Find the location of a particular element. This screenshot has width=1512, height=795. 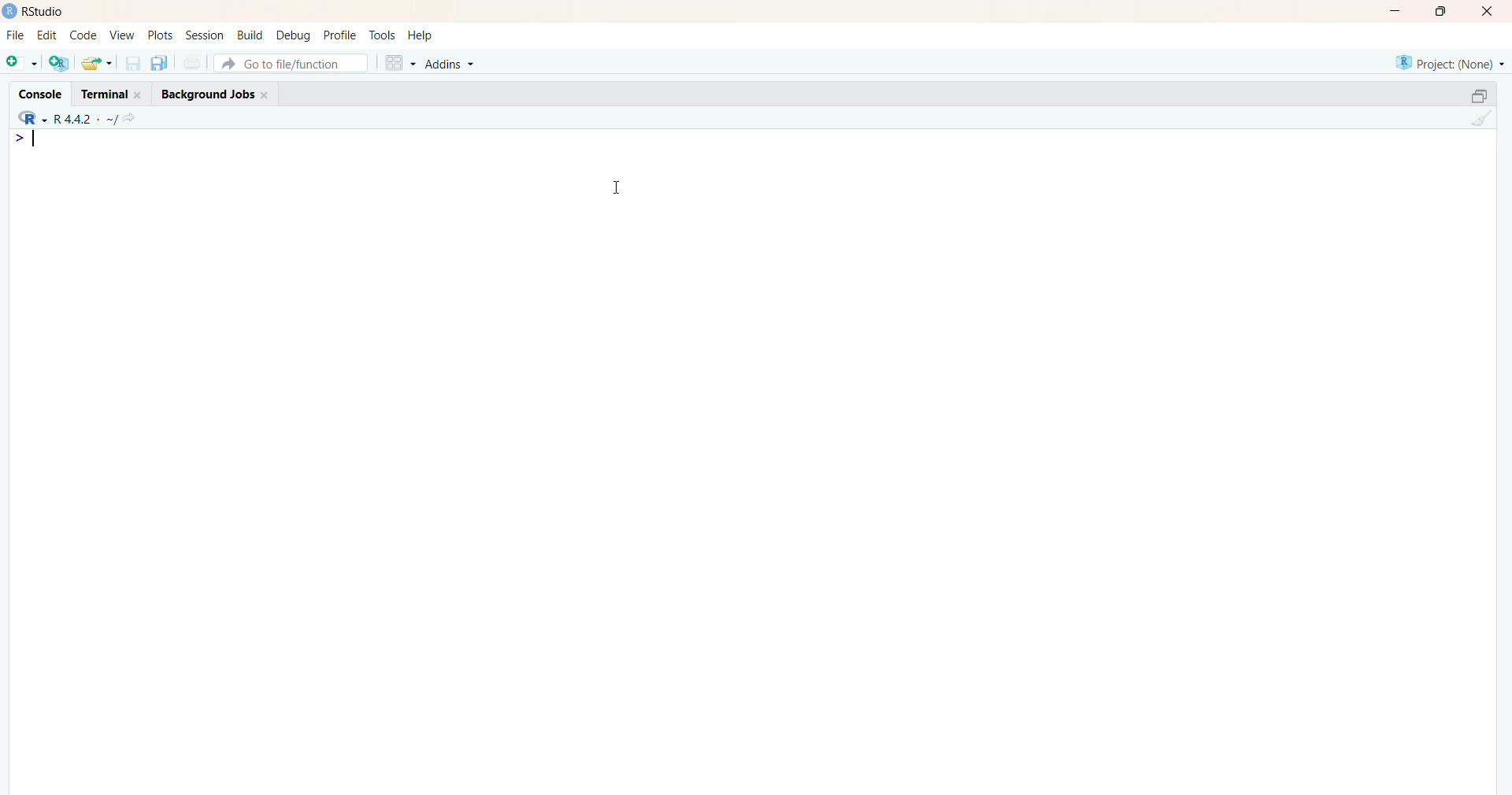

clear console is located at coordinates (1480, 120).